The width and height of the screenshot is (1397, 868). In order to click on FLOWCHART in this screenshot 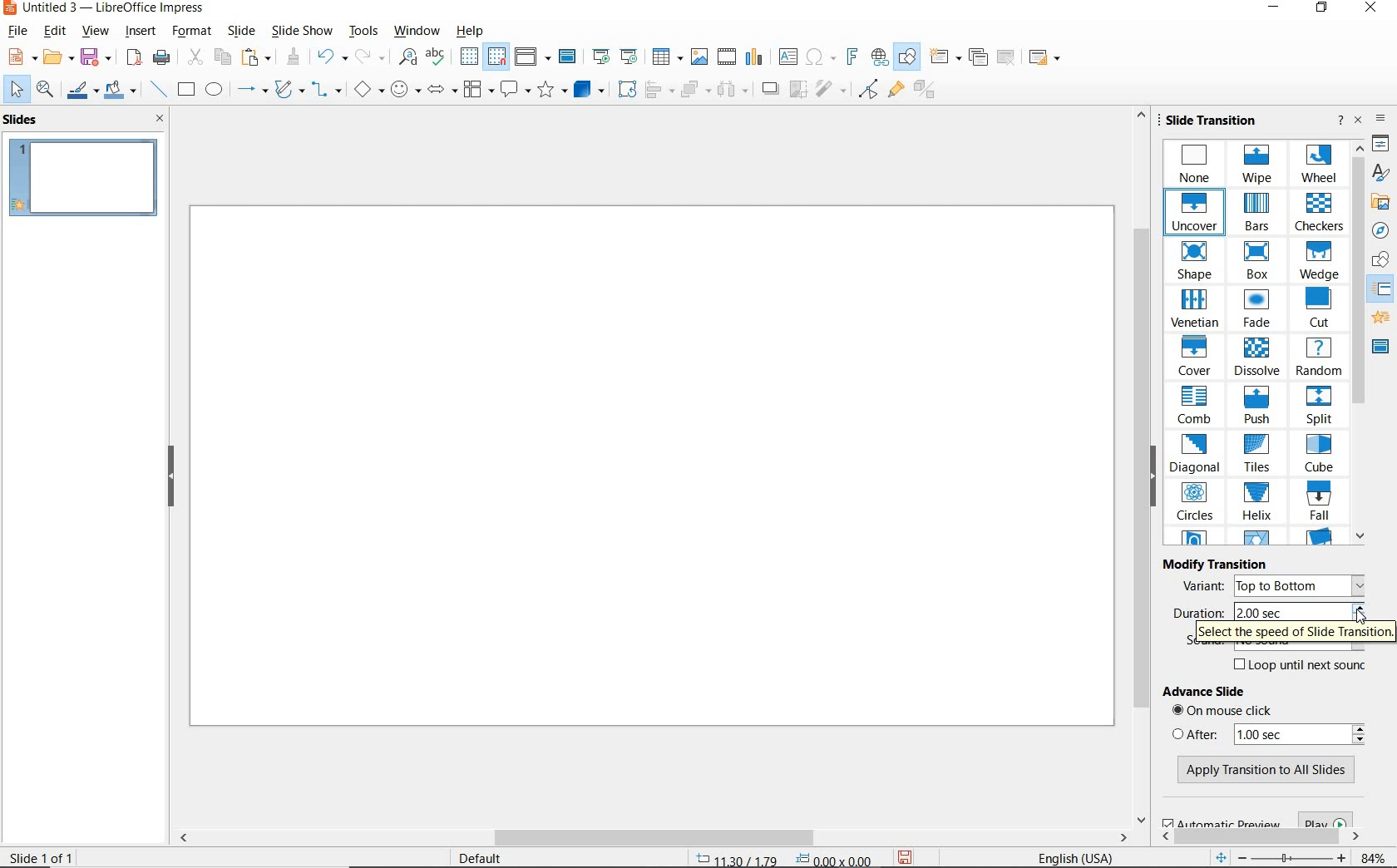, I will do `click(477, 91)`.